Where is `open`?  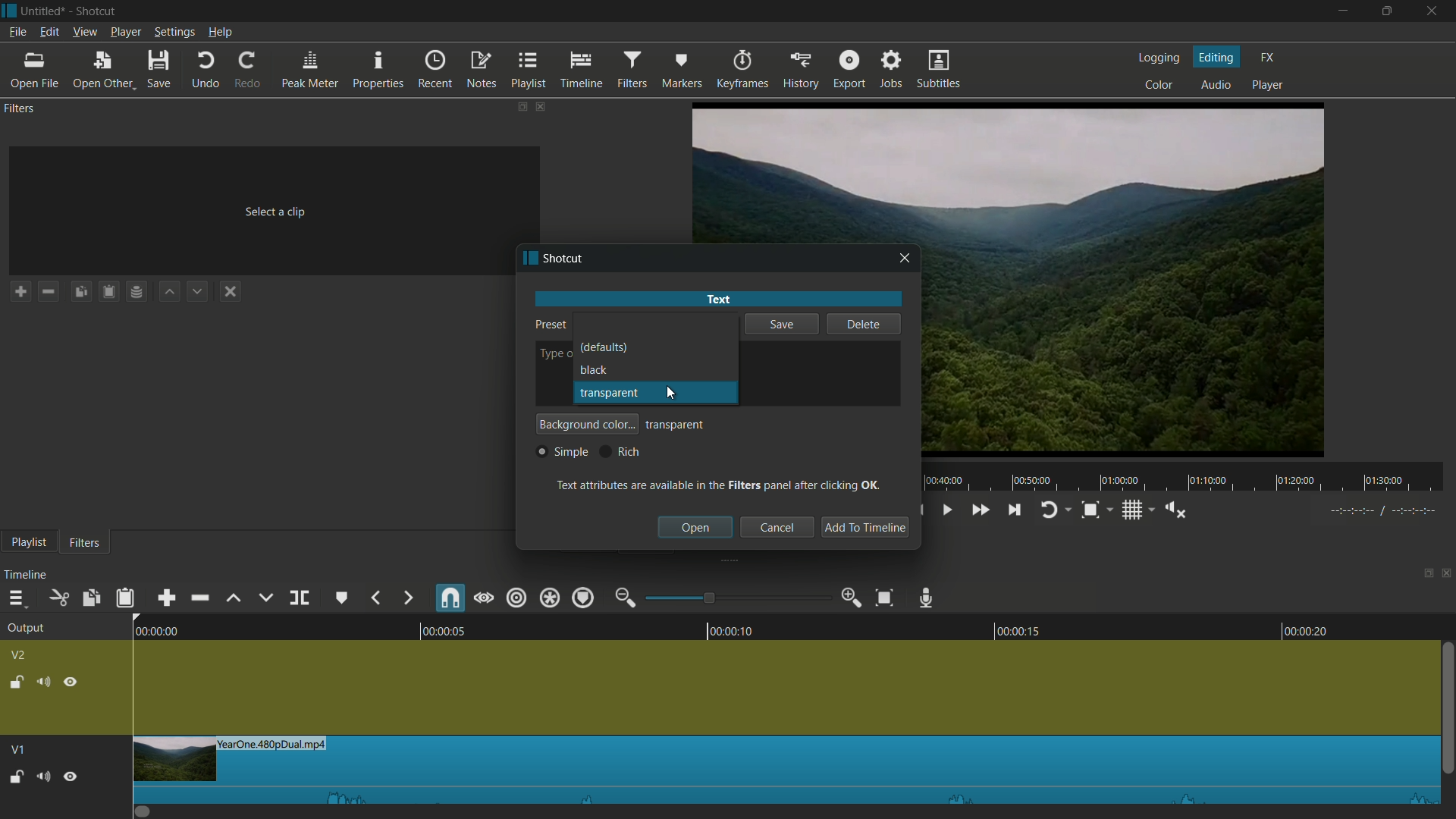 open is located at coordinates (696, 527).